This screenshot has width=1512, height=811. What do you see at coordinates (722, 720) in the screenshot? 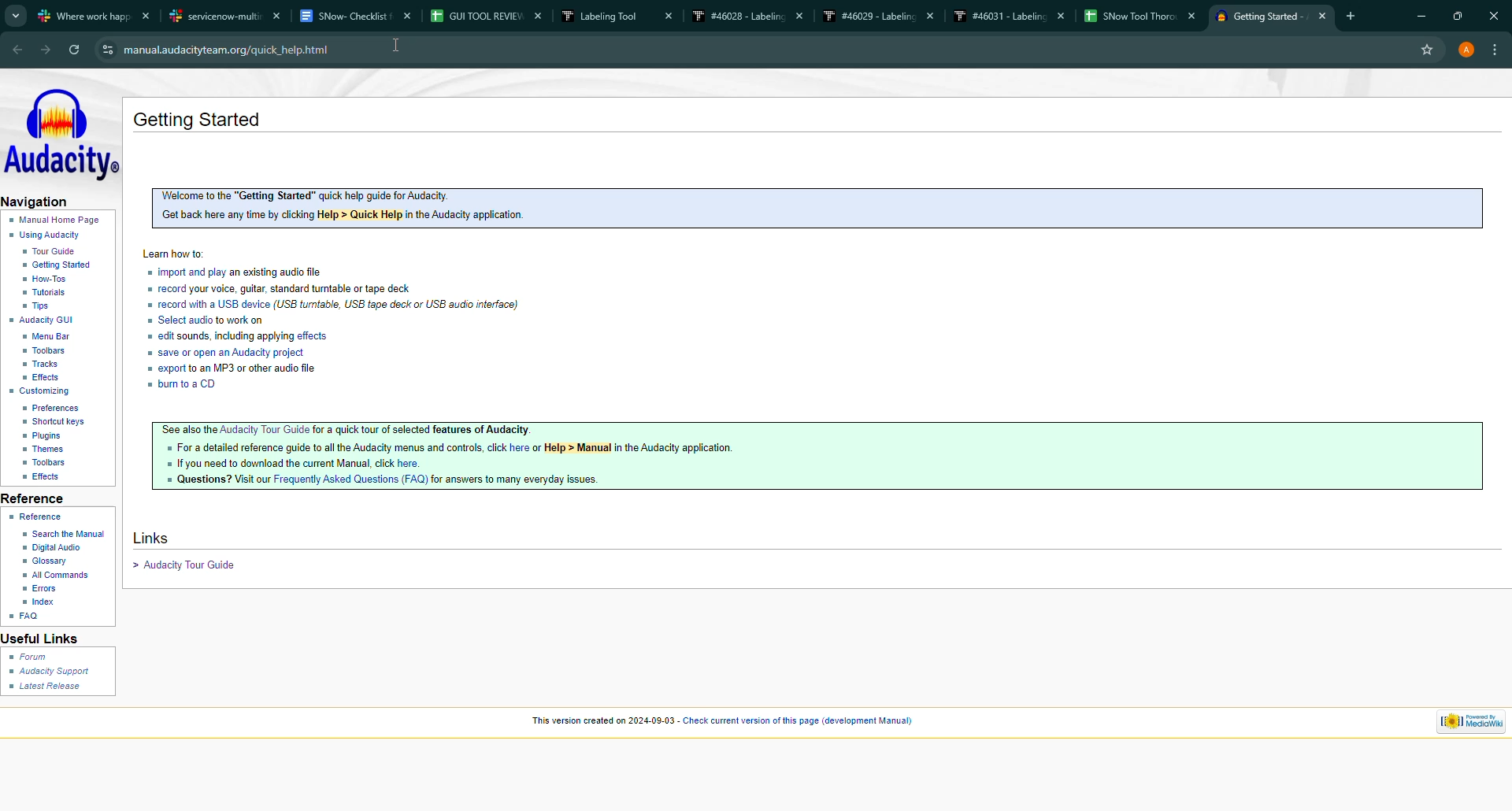
I see `“This version created on 2024-09-03 - Check current version of this page (development Manual)` at bounding box center [722, 720].